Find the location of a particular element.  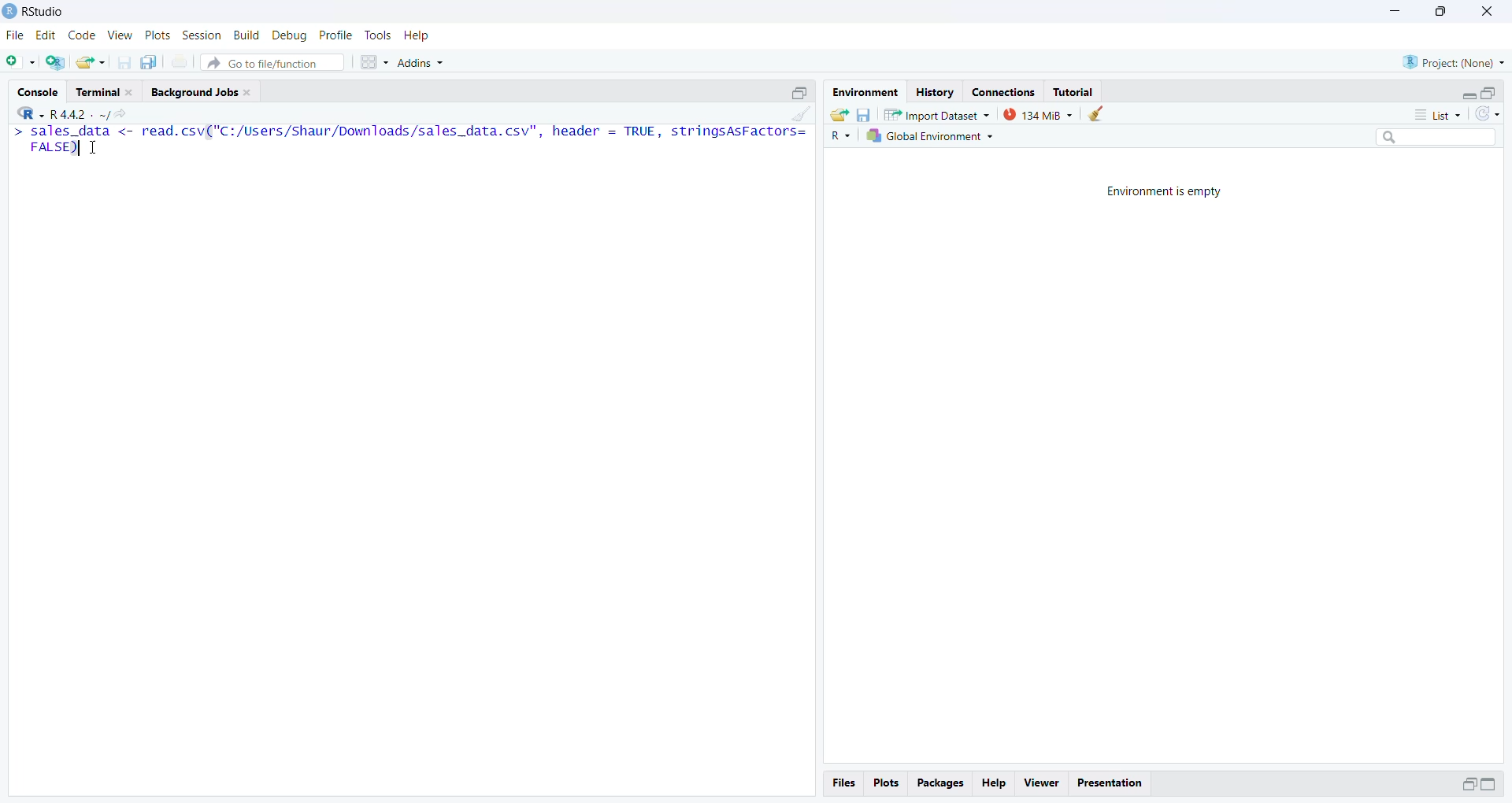

File is located at coordinates (15, 37).